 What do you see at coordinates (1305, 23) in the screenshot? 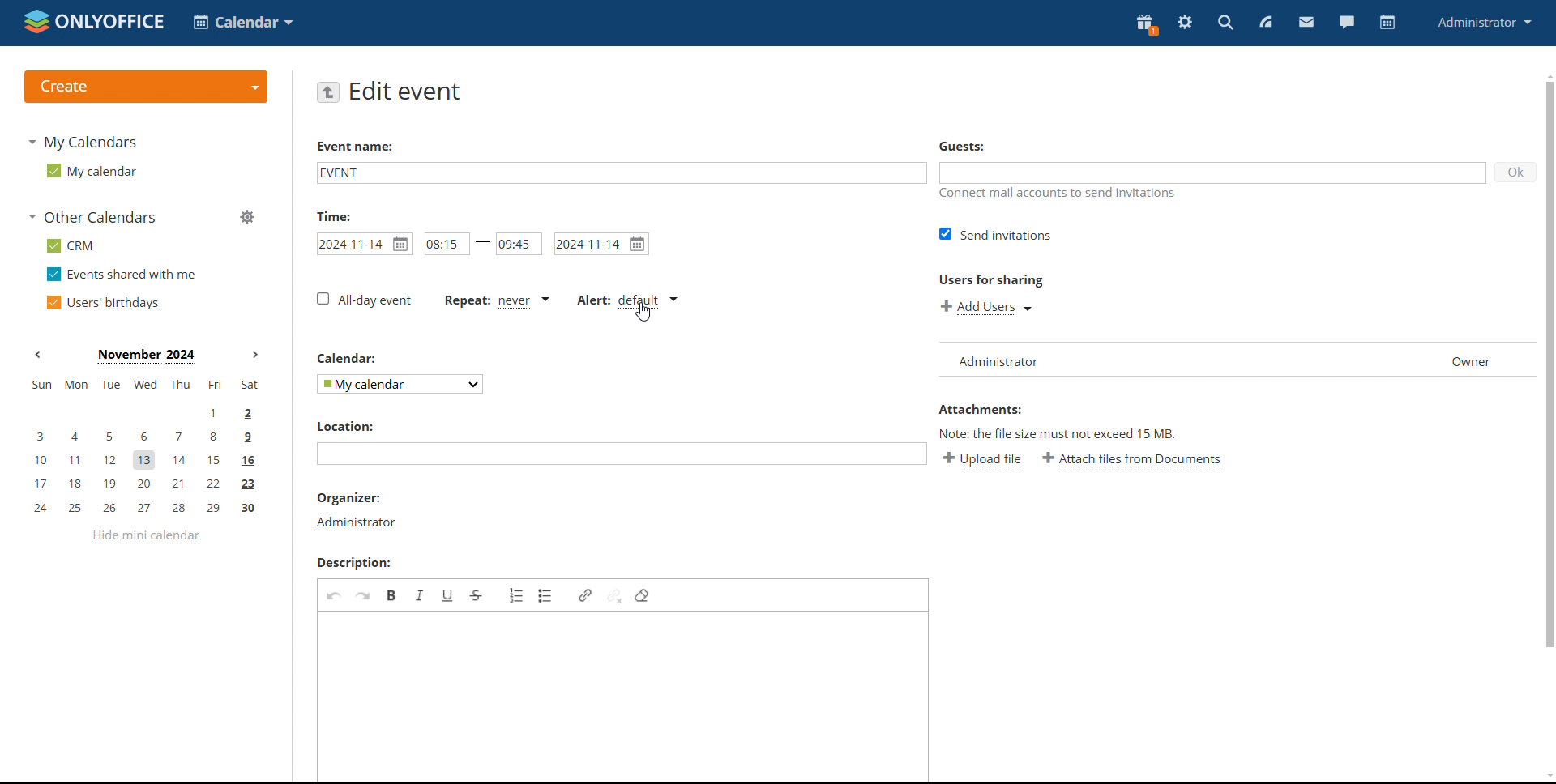
I see `mail` at bounding box center [1305, 23].